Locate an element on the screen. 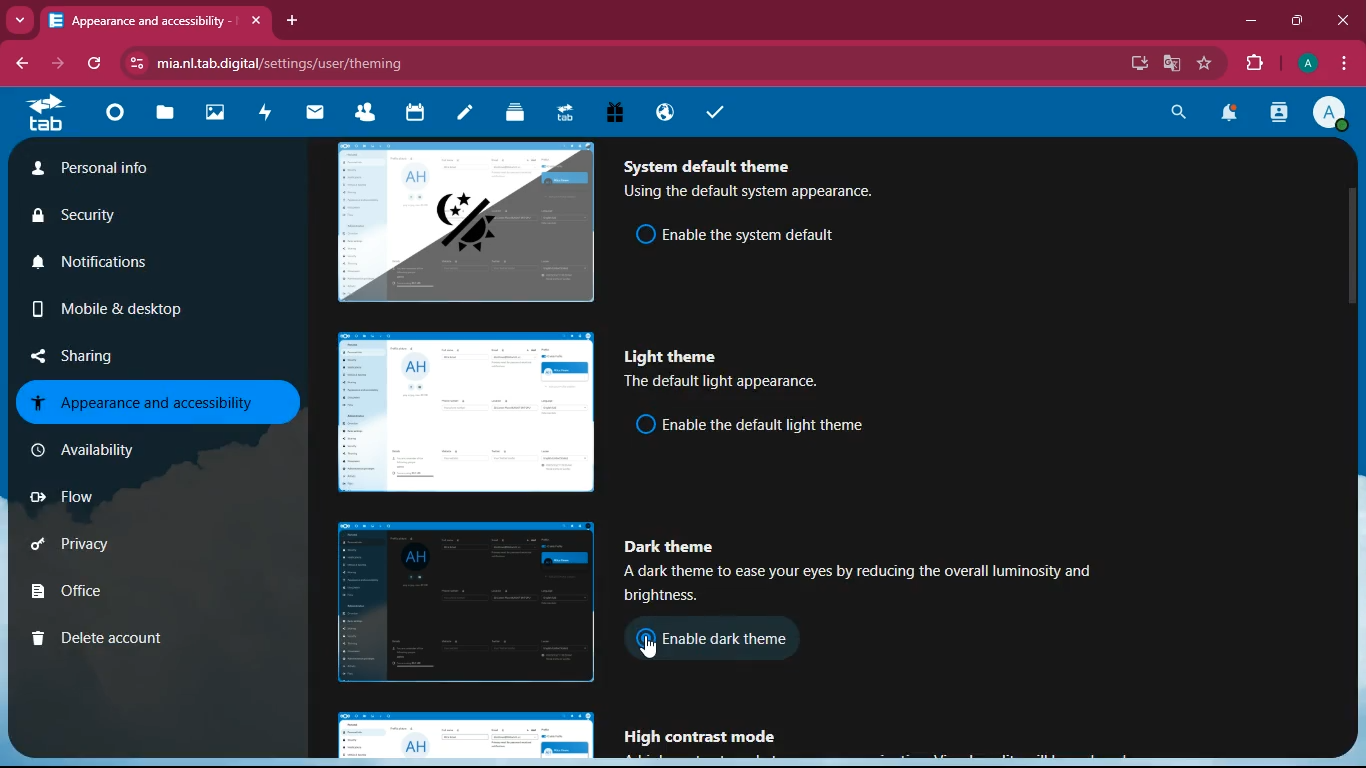 The image size is (1366, 768). maximize is located at coordinates (1299, 21).